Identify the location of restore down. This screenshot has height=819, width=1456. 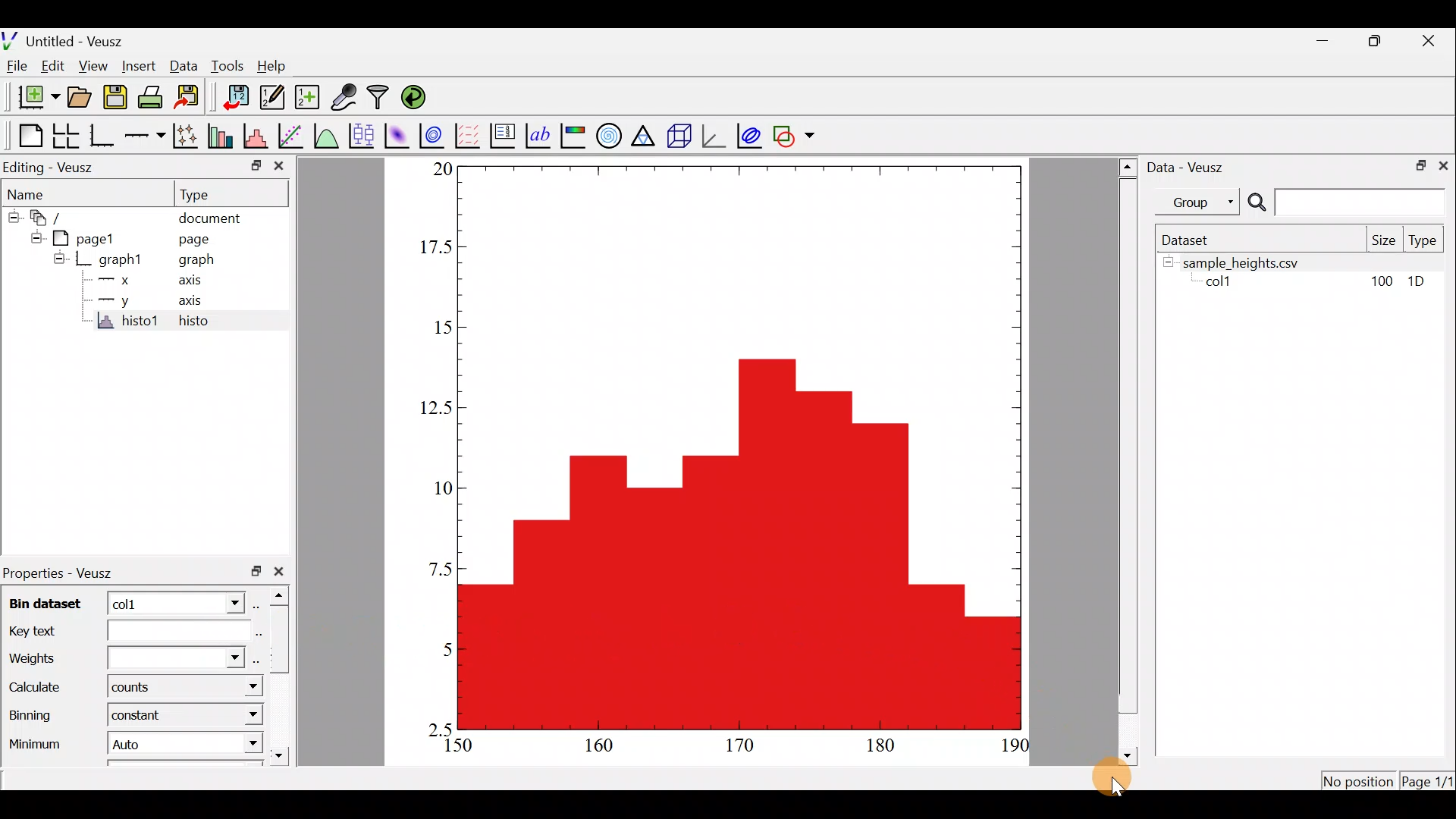
(1419, 166).